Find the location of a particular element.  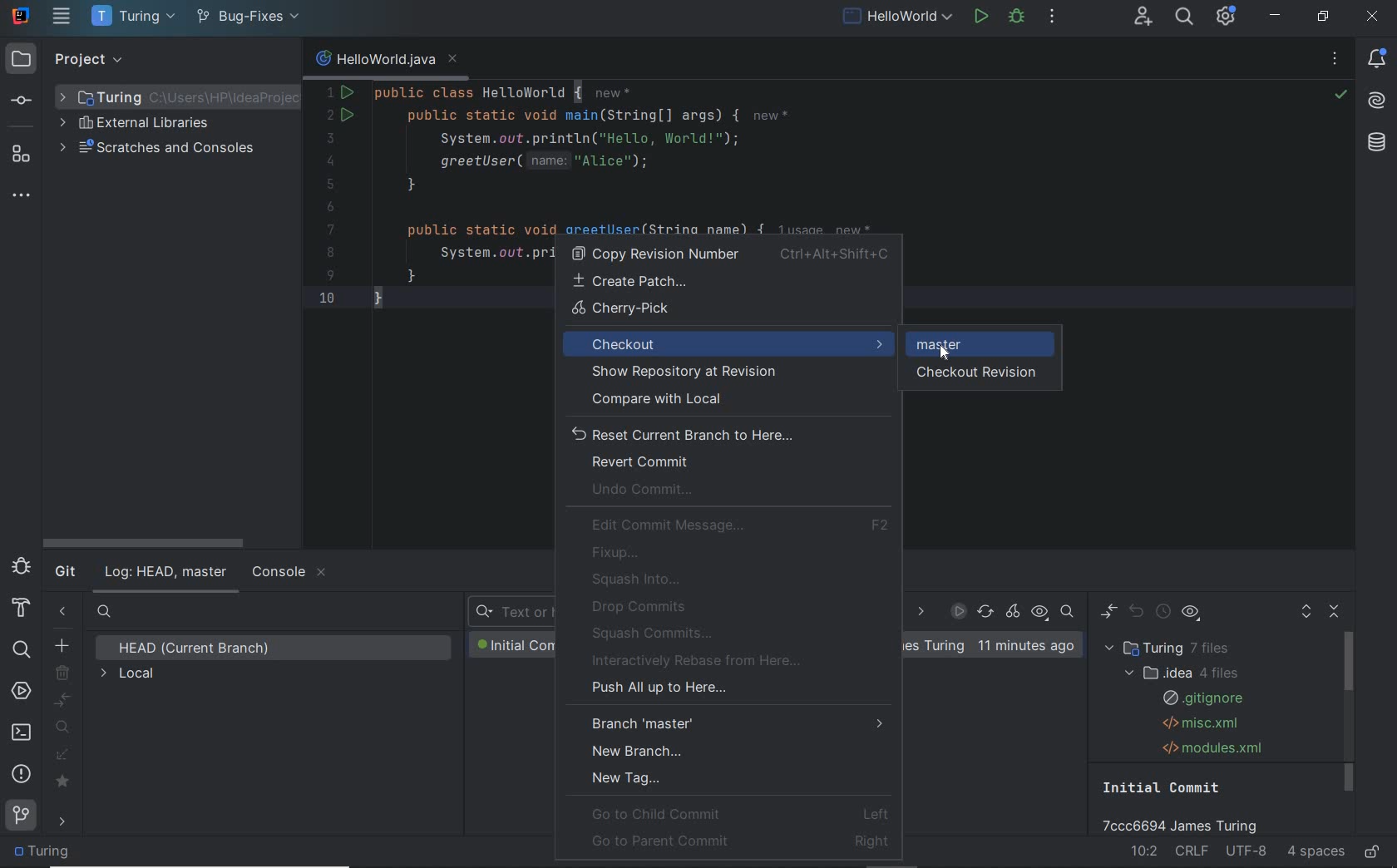

collapse all is located at coordinates (1336, 613).